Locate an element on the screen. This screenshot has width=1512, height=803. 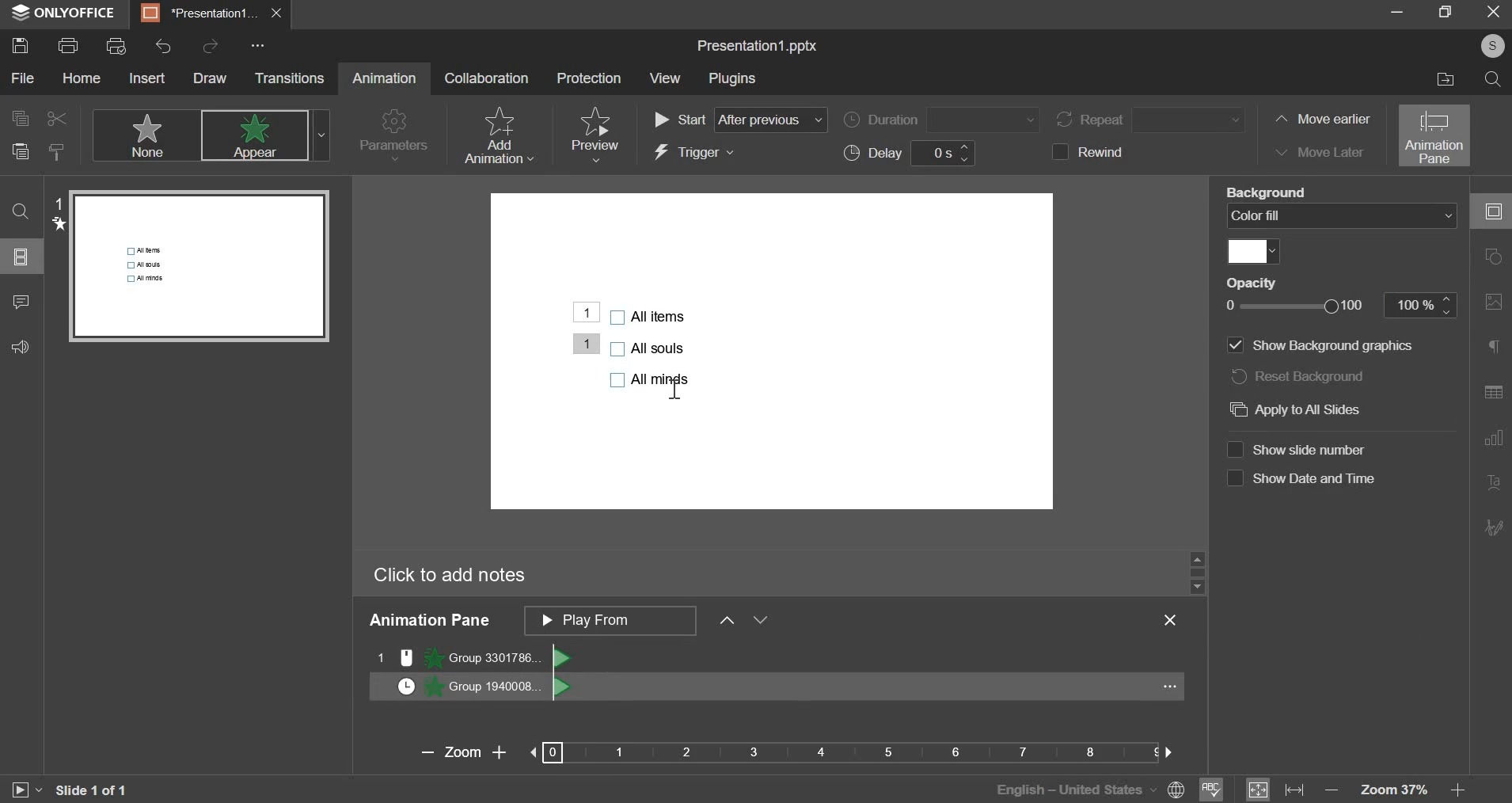
delay is located at coordinates (913, 154).